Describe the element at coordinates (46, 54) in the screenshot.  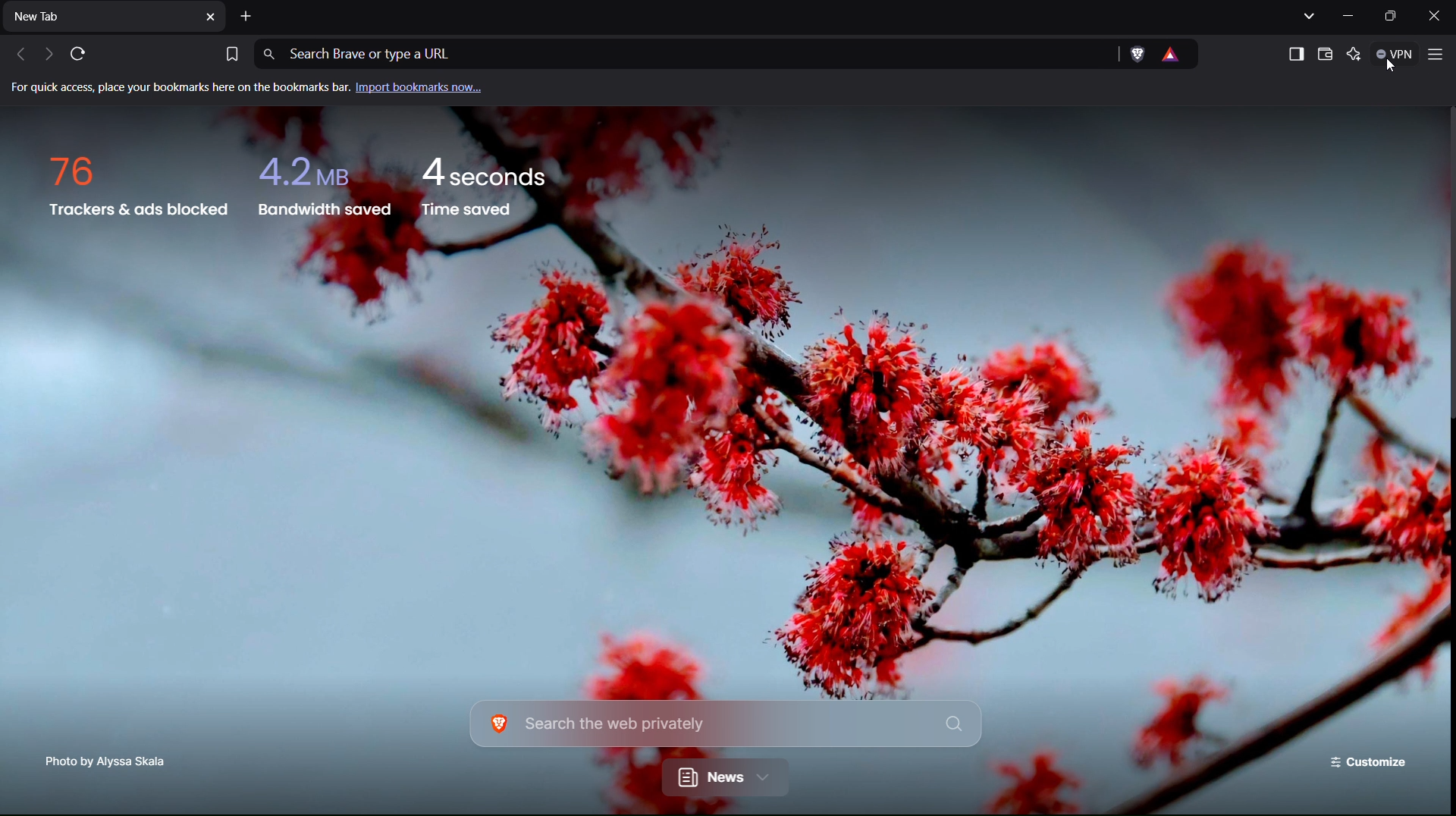
I see `Next` at that location.